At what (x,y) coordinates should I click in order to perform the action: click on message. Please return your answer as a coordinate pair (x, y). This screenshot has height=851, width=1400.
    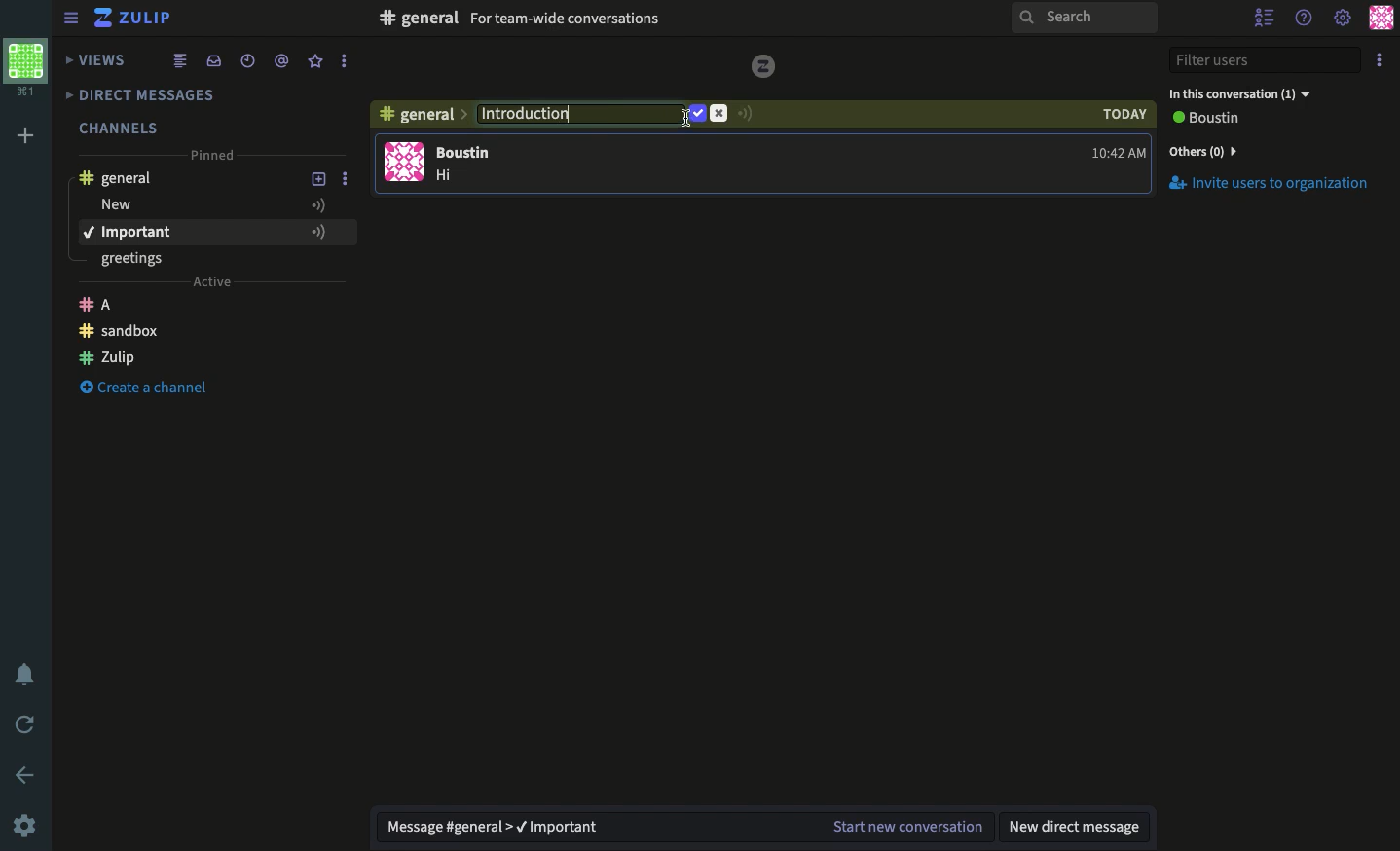
    Looking at the image, I should click on (450, 177).